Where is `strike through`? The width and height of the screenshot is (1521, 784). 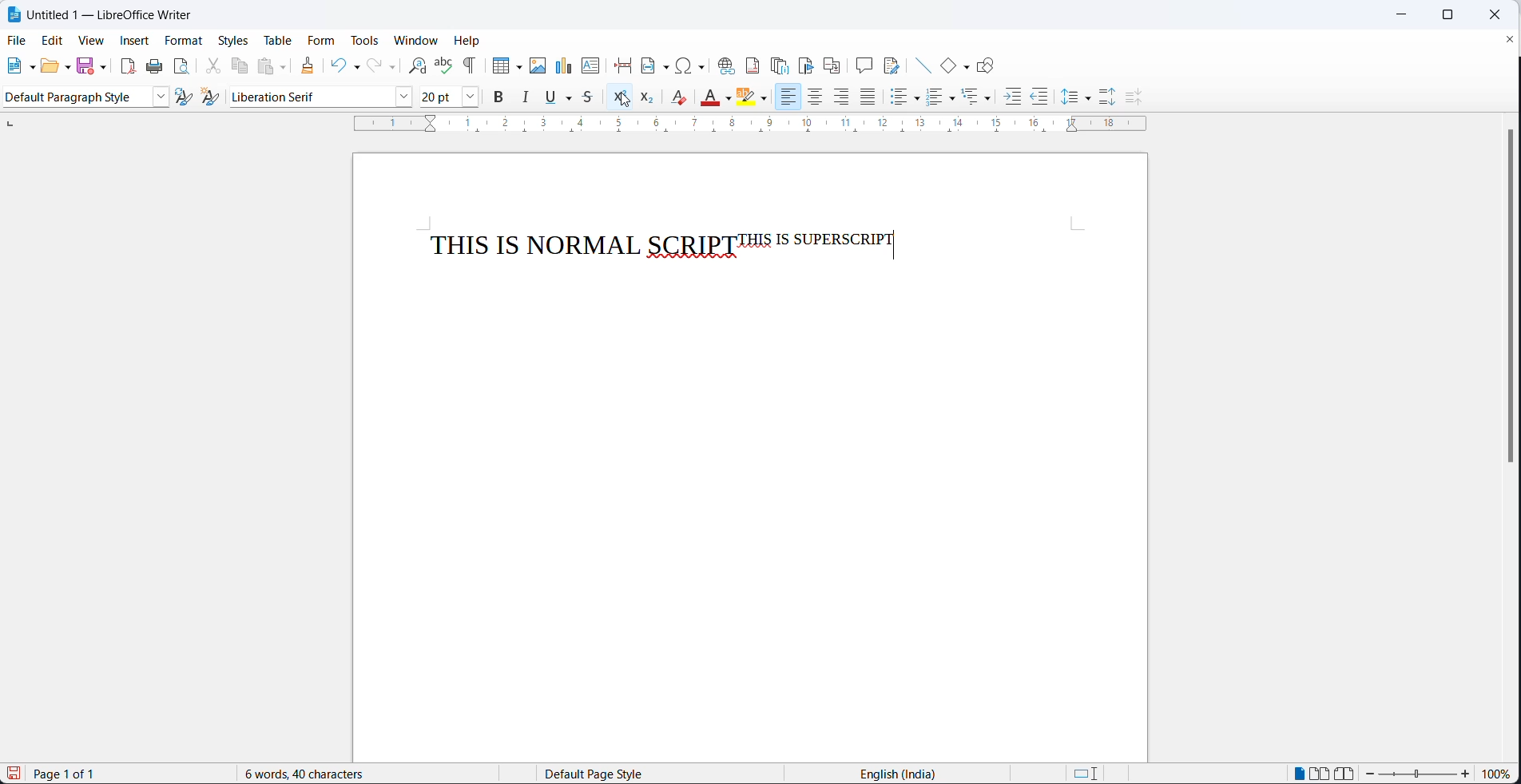 strike through is located at coordinates (594, 97).